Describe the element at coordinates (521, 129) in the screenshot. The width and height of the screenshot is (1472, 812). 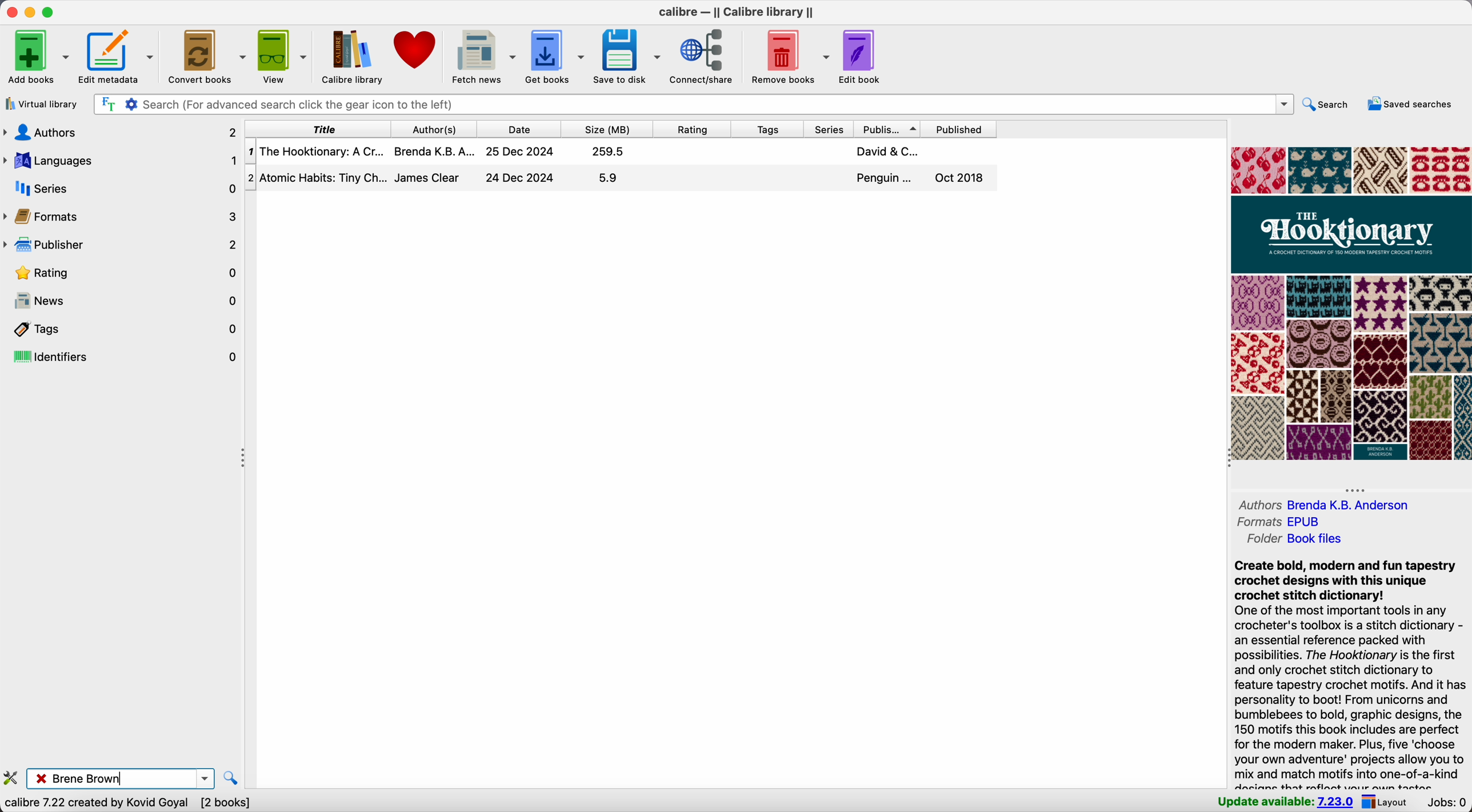
I see `date` at that location.